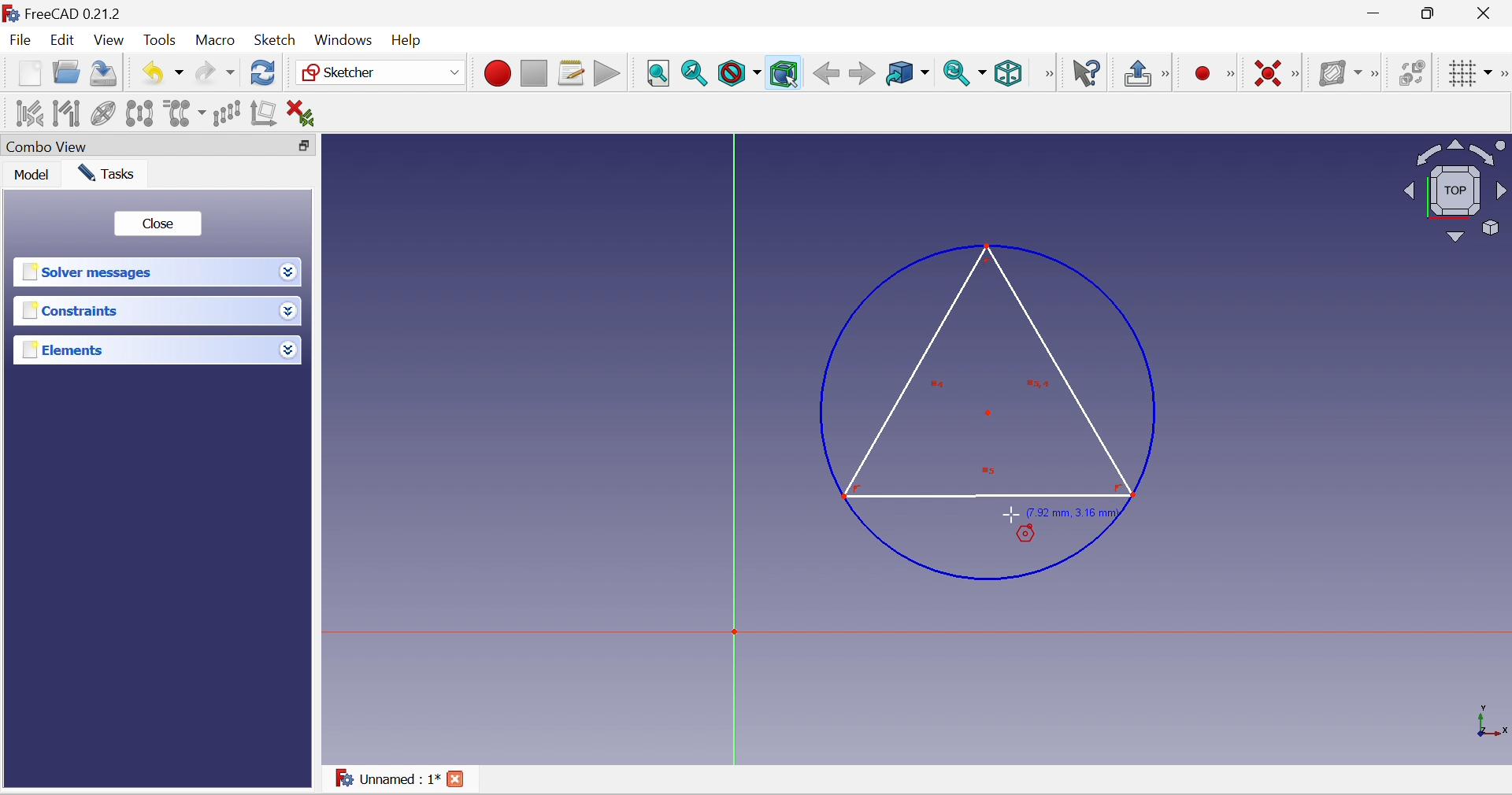 The width and height of the screenshot is (1512, 795). What do you see at coordinates (966, 74) in the screenshot?
I see `Sync view` at bounding box center [966, 74].